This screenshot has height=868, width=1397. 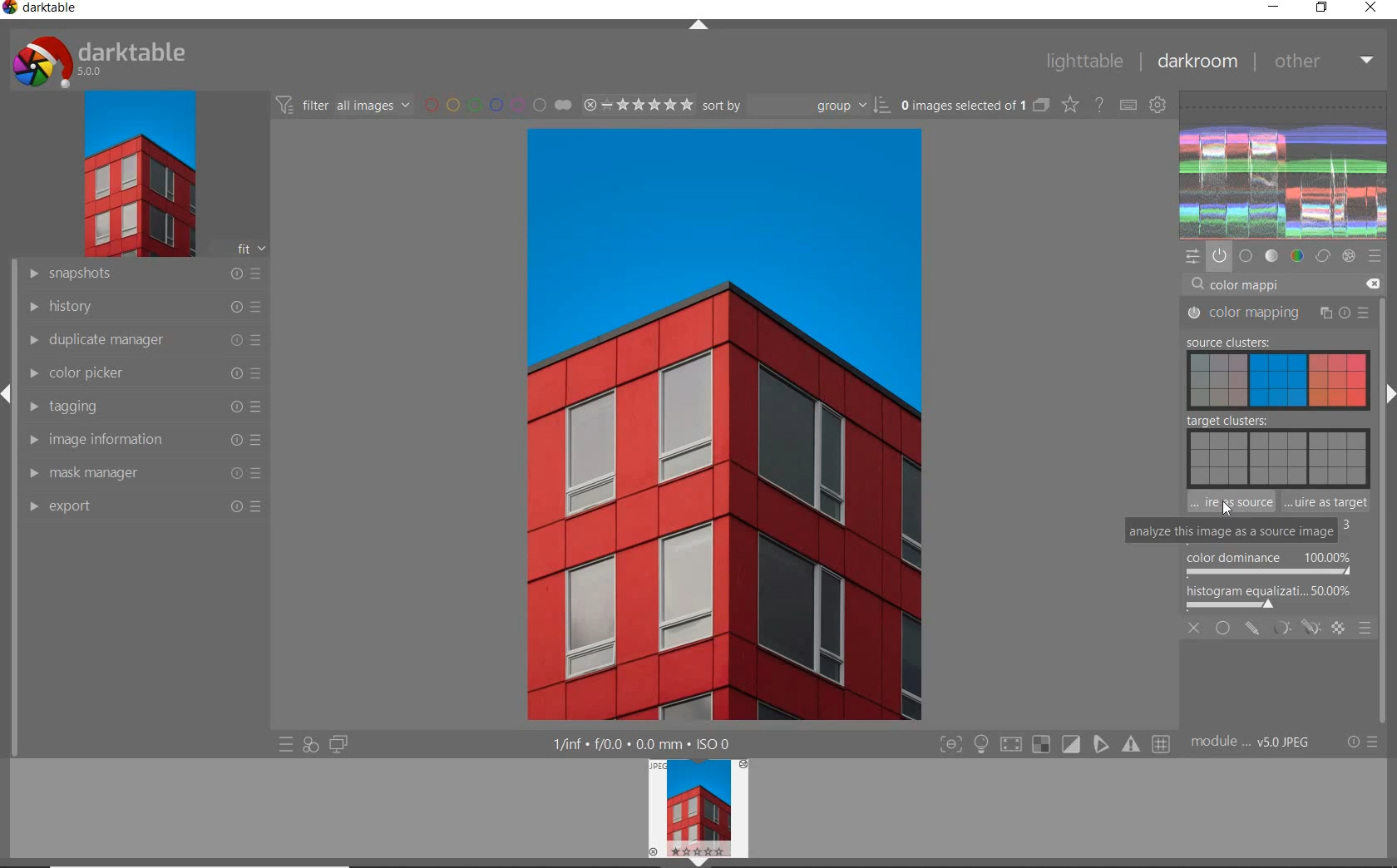 I want to click on MASKING OPTIONS, so click(x=1293, y=629).